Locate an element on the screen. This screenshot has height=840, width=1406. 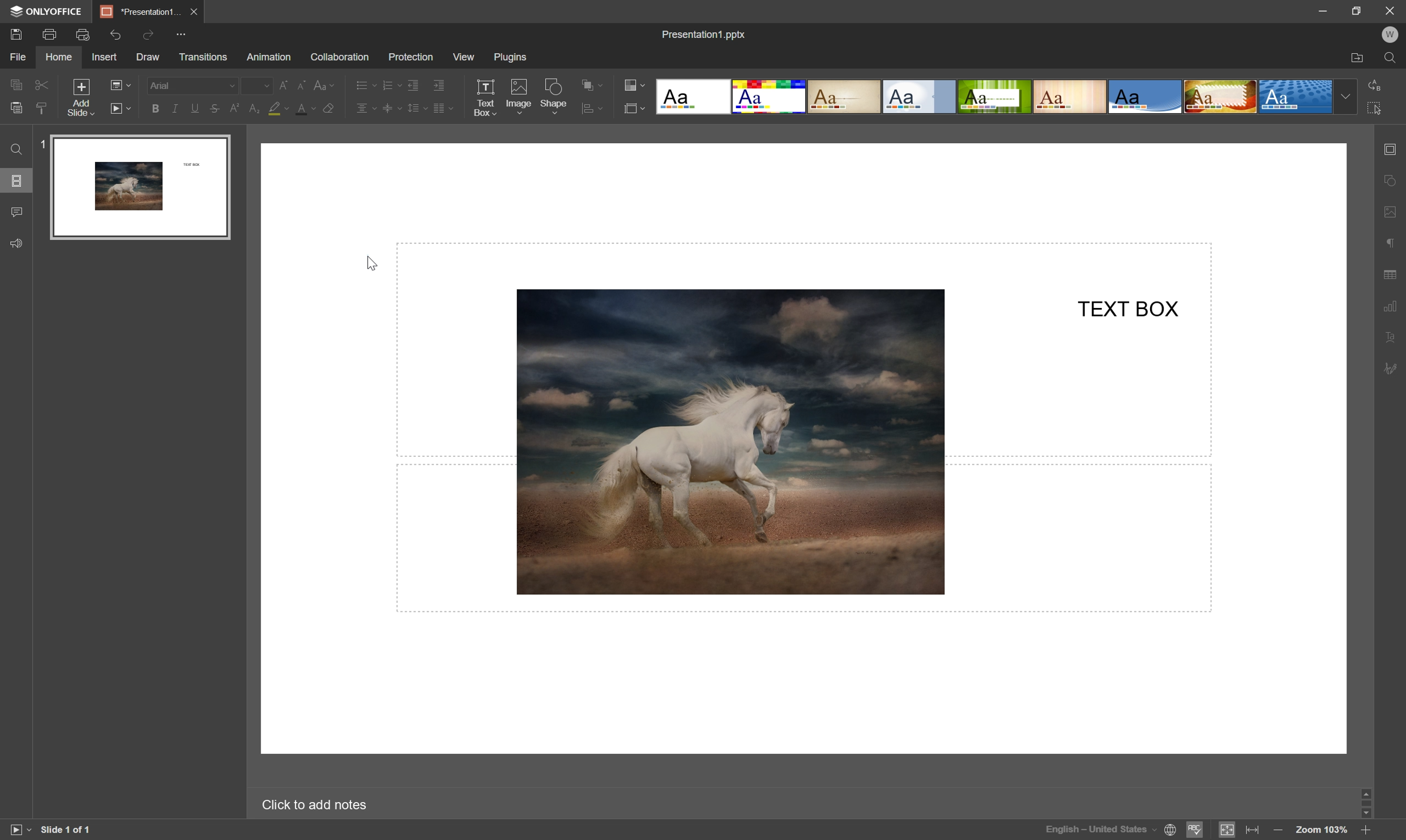
spell checking is located at coordinates (1196, 830).